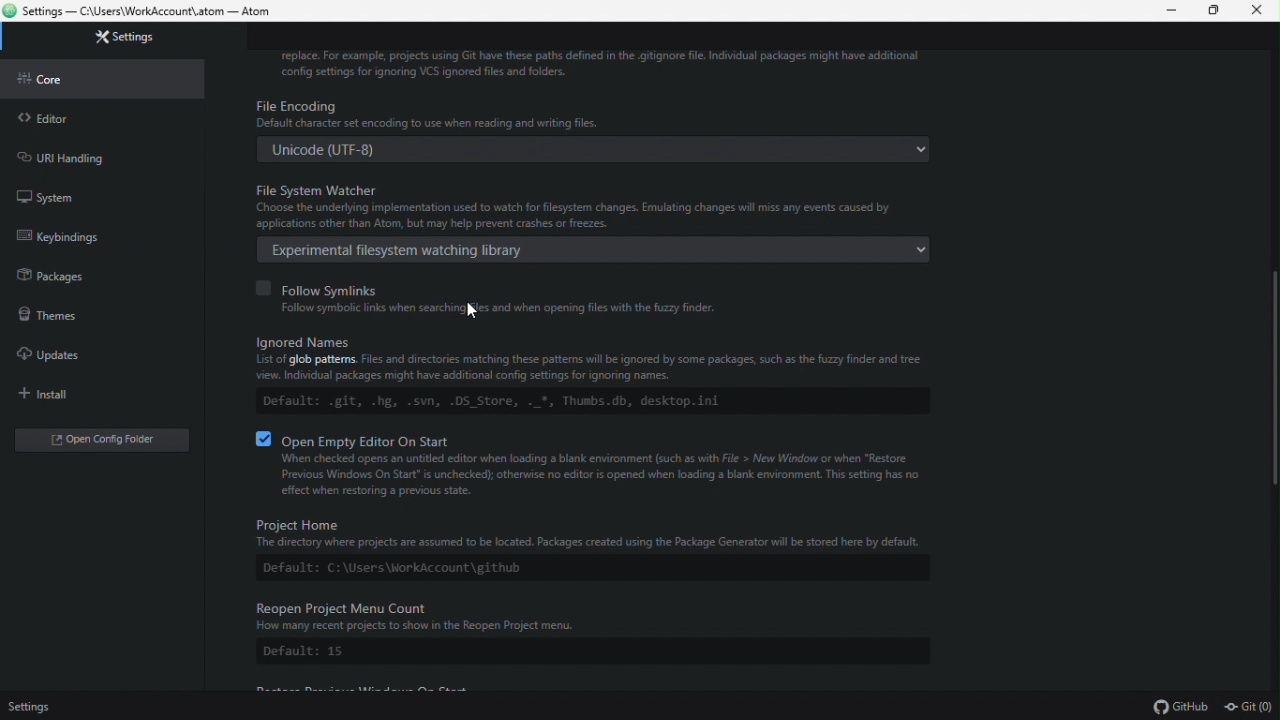  Describe the element at coordinates (43, 80) in the screenshot. I see `core` at that location.